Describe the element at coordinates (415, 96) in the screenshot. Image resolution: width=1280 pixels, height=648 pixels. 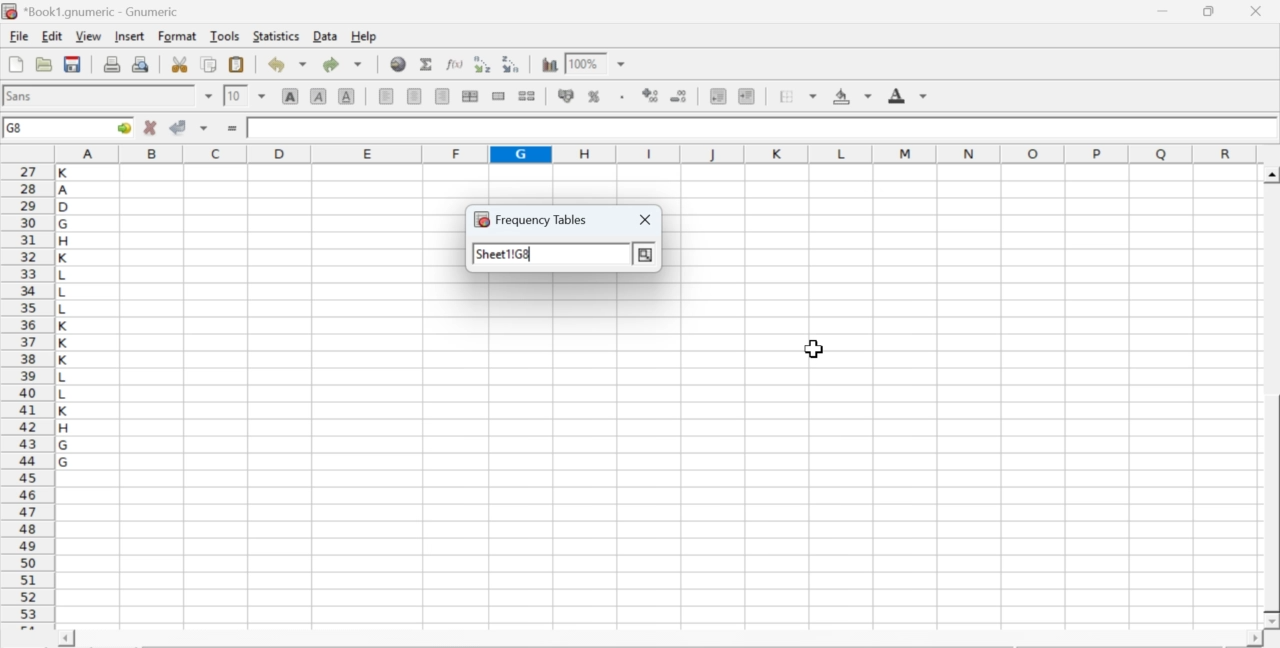
I see `center horizontally` at that location.